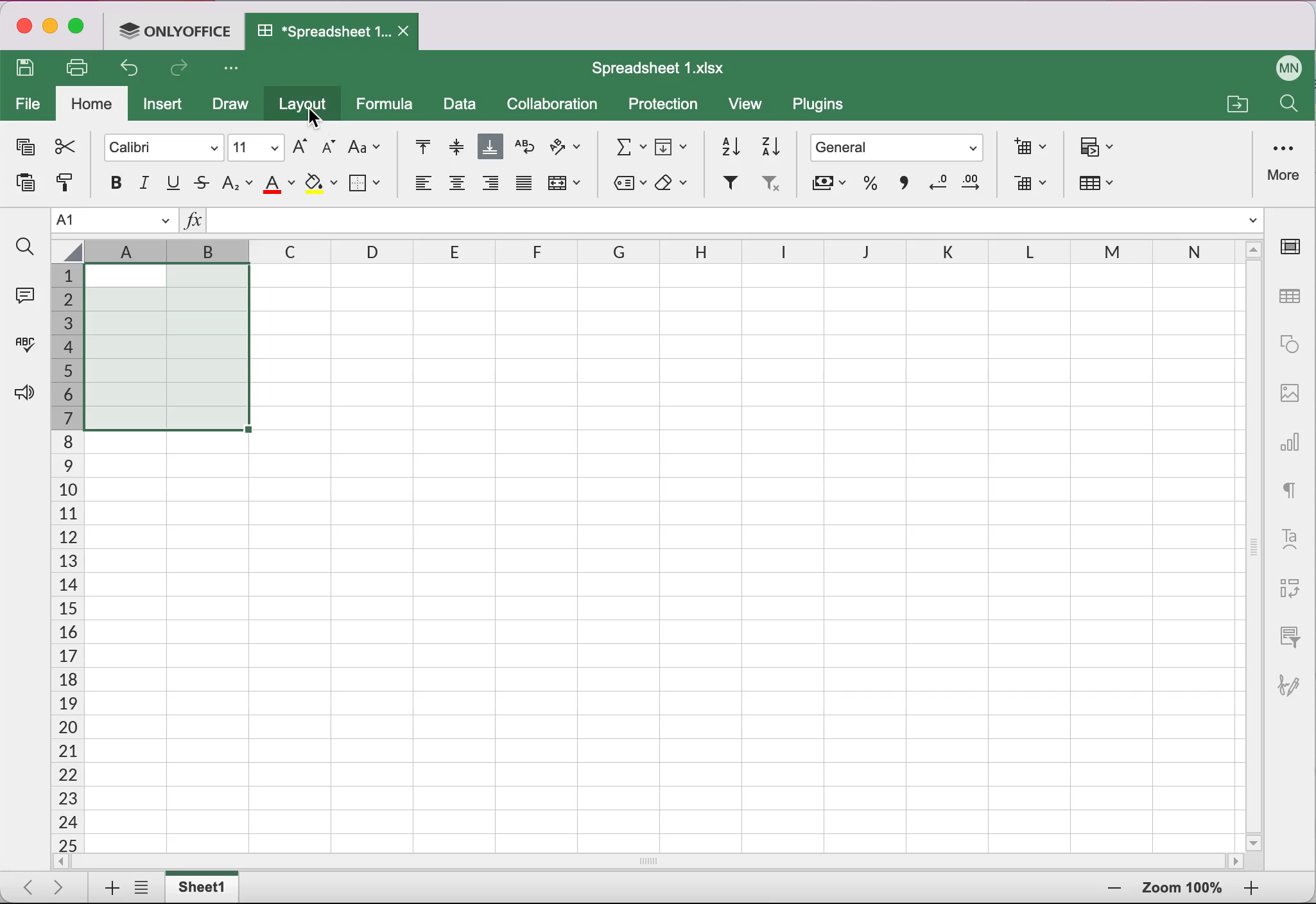 The height and width of the screenshot is (904, 1316). What do you see at coordinates (365, 146) in the screenshot?
I see `change case` at bounding box center [365, 146].